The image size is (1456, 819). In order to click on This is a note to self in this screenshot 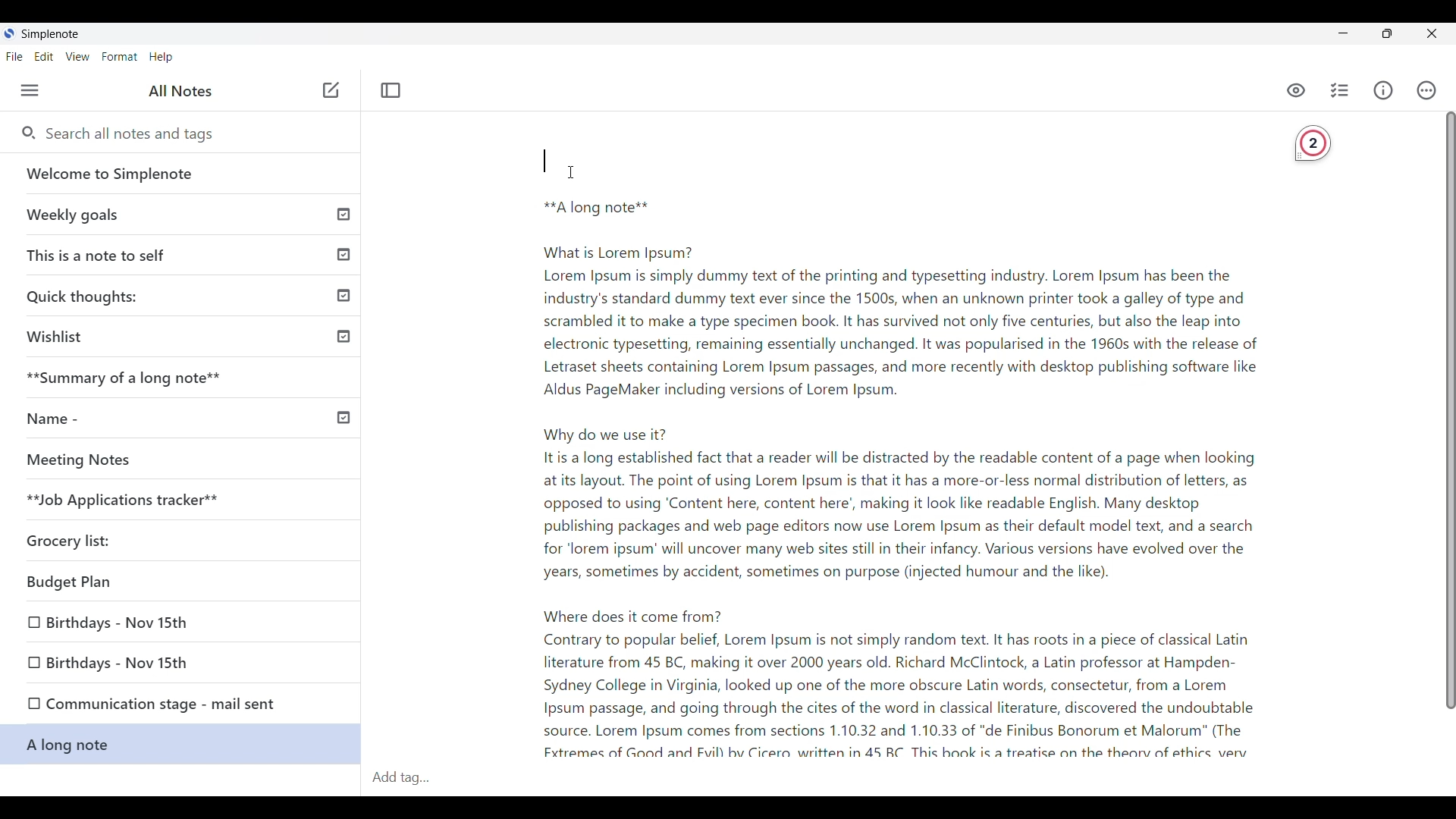, I will do `click(184, 252)`.